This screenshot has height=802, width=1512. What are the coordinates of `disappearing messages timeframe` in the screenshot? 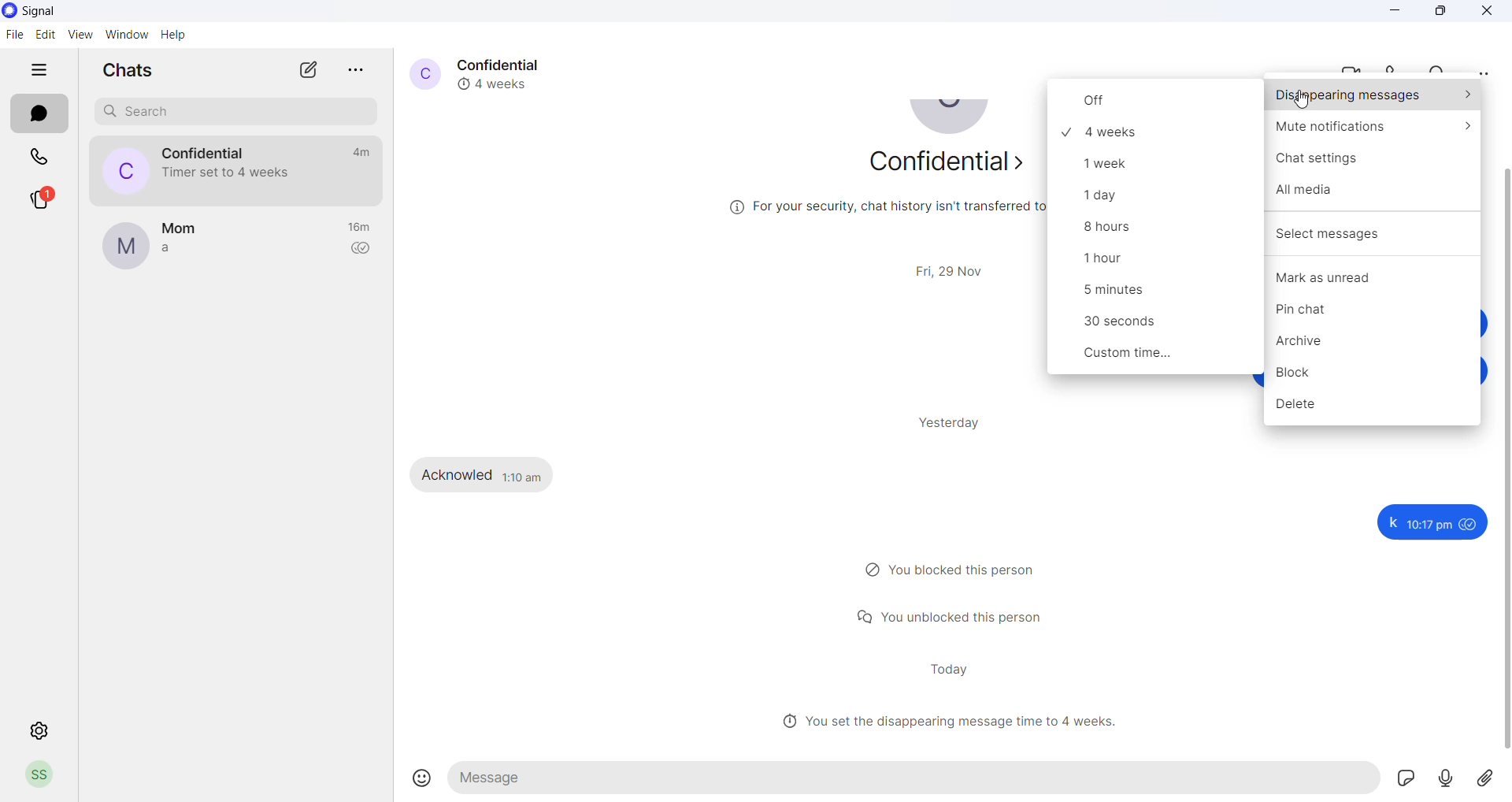 It's located at (1151, 295).